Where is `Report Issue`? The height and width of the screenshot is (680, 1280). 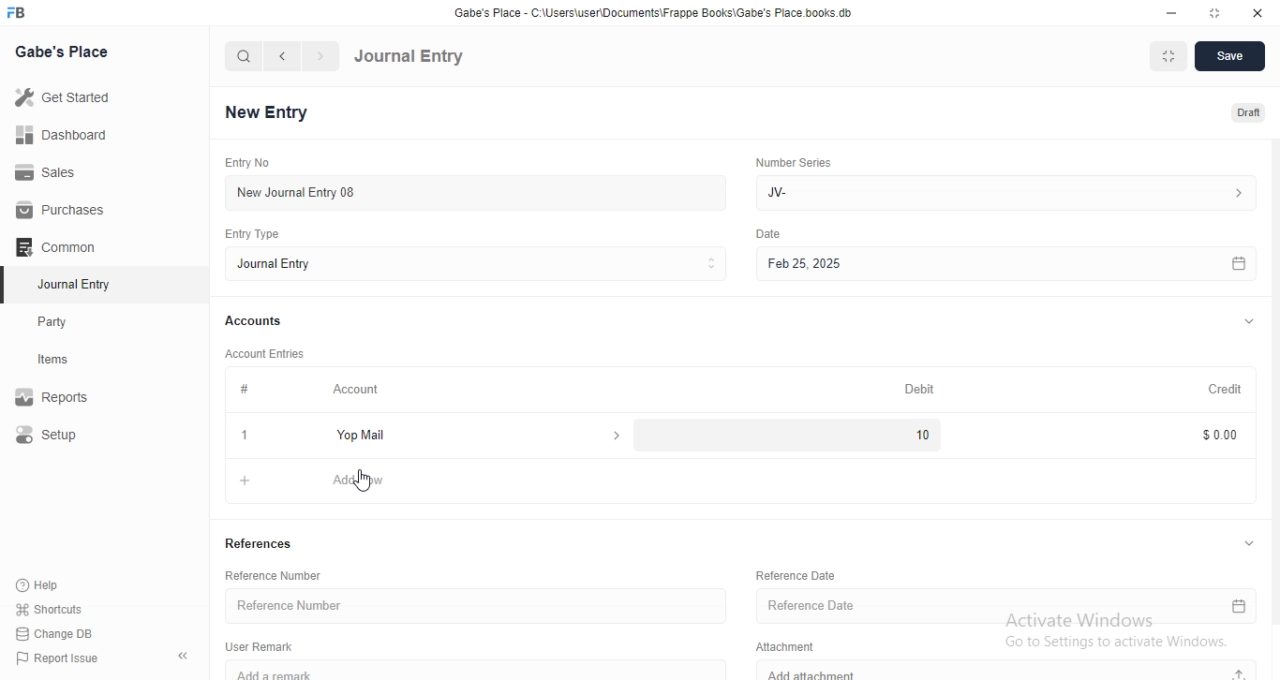 Report Issue is located at coordinates (67, 658).